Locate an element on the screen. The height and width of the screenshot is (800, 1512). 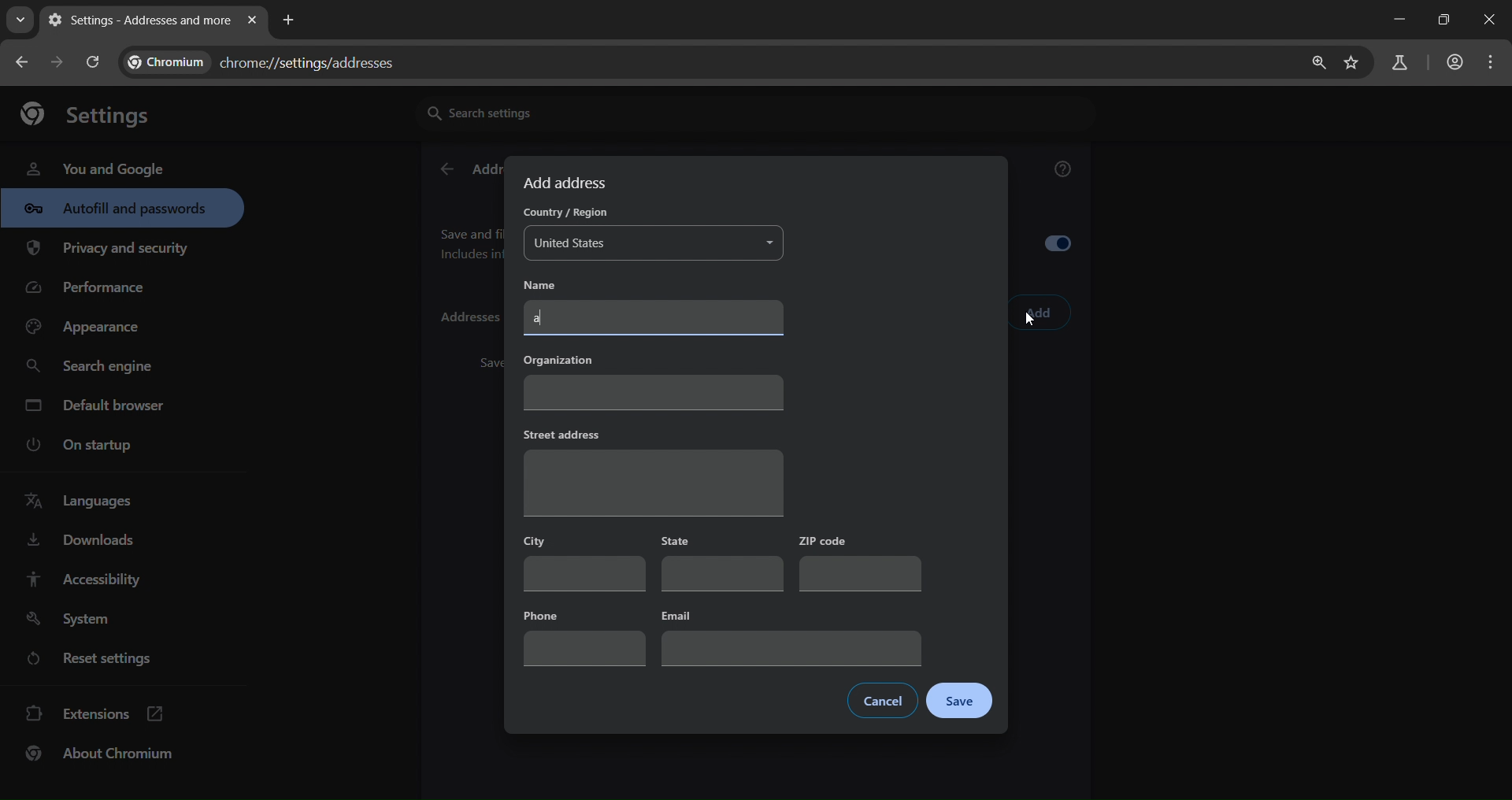
menu is located at coordinates (1495, 62).